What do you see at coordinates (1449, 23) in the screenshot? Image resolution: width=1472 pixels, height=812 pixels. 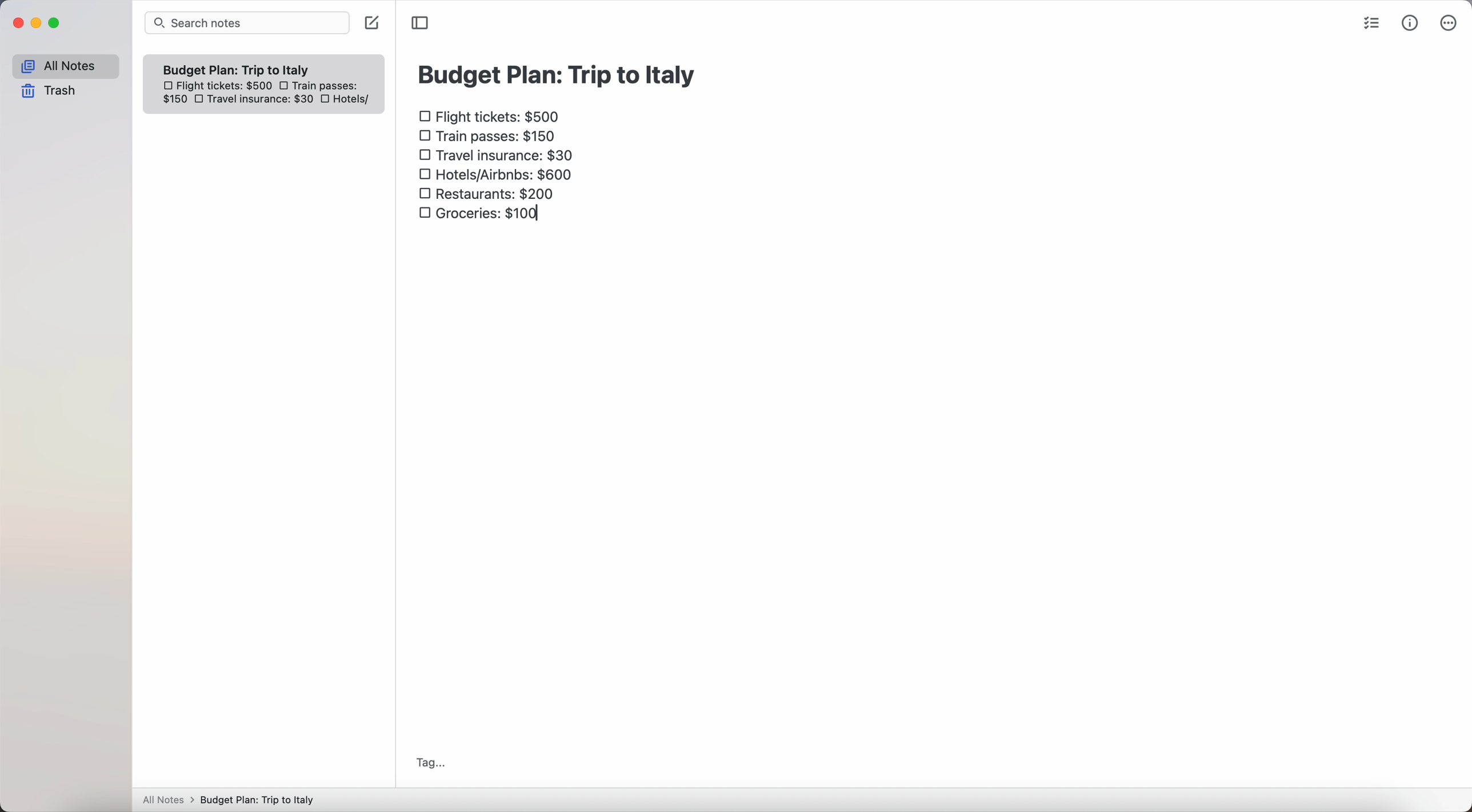 I see `more options` at bounding box center [1449, 23].